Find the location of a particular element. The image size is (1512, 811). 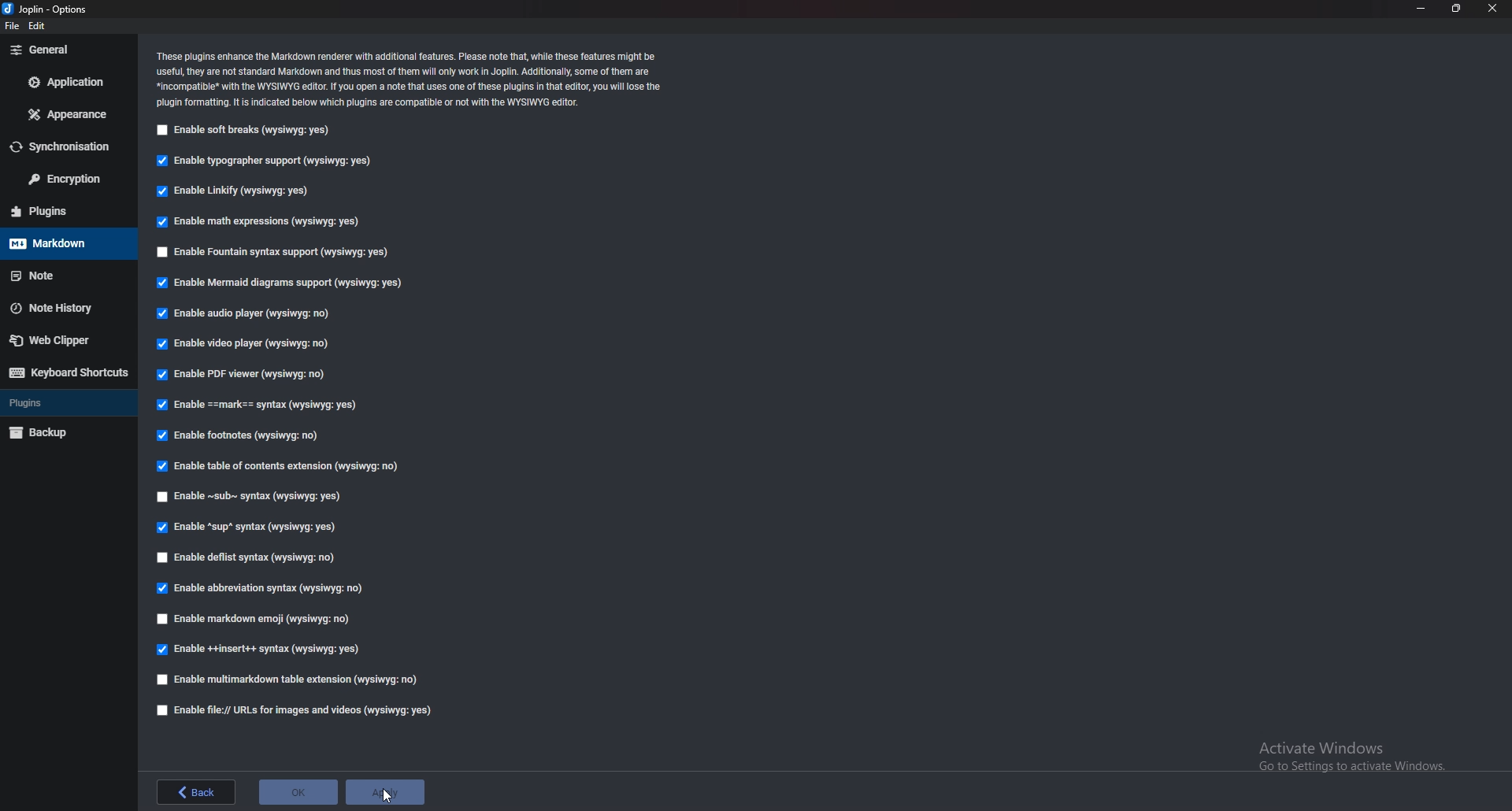

minimize is located at coordinates (1421, 9).